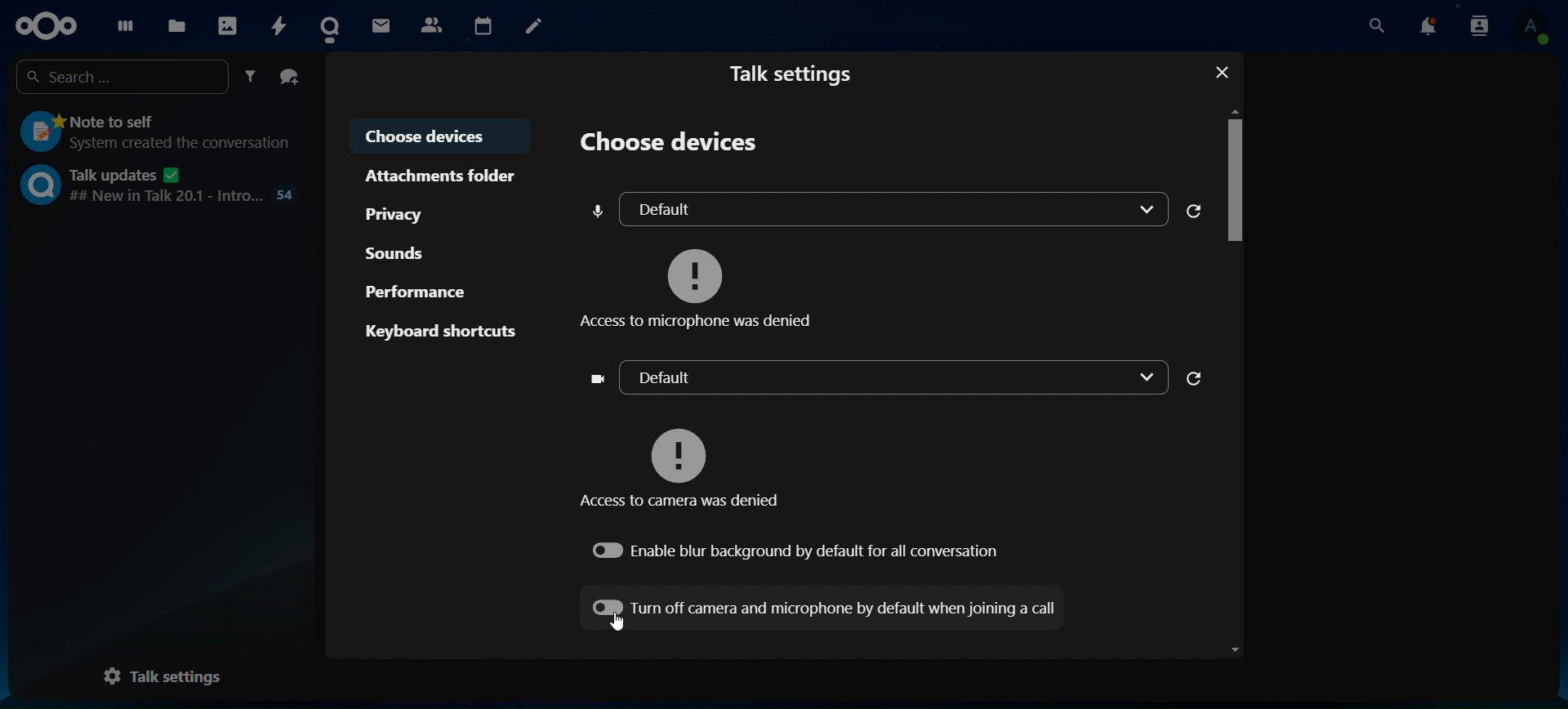 This screenshot has width=1568, height=709. Describe the element at coordinates (251, 77) in the screenshot. I see `filter` at that location.